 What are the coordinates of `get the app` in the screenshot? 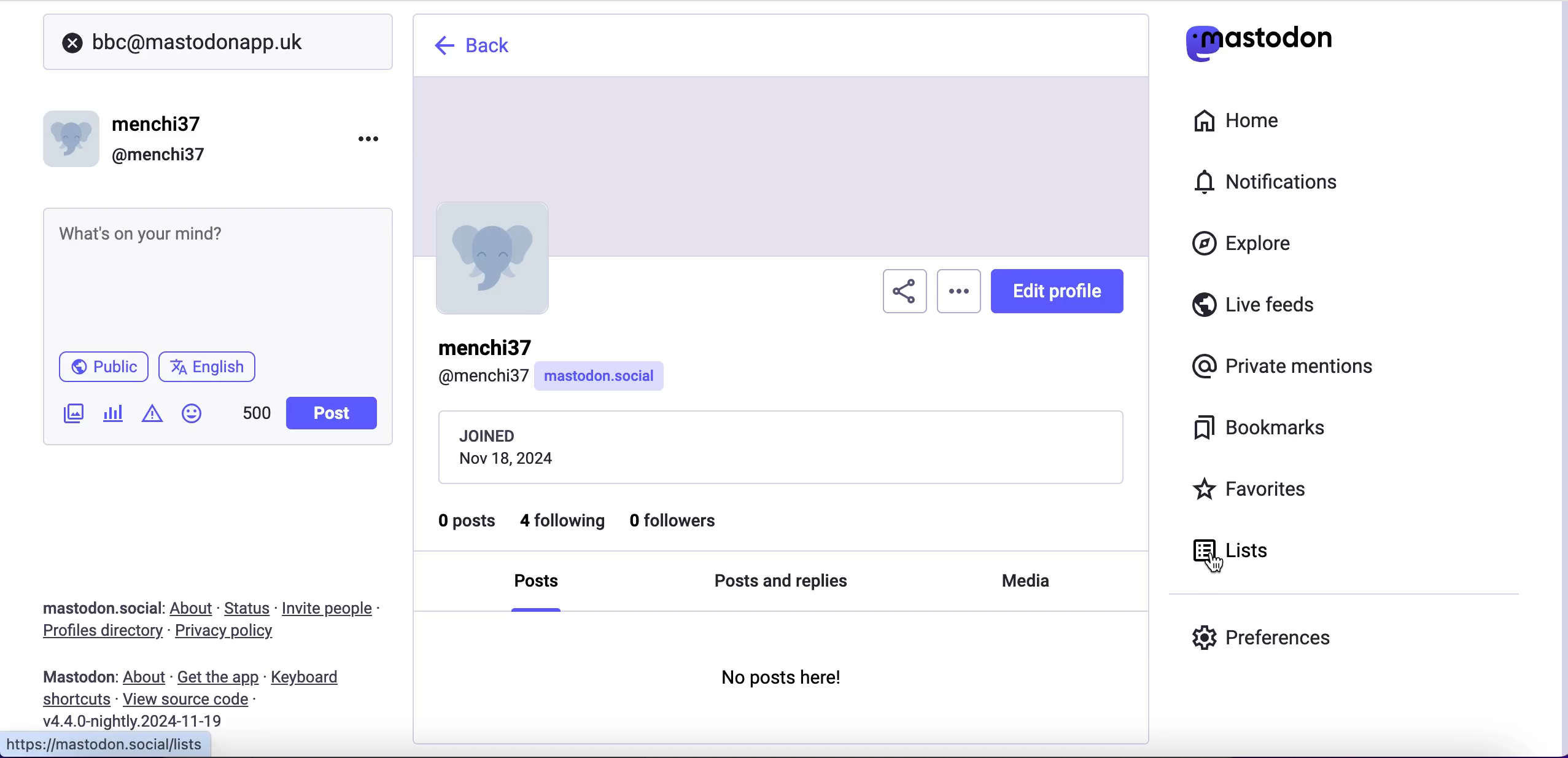 It's located at (217, 677).